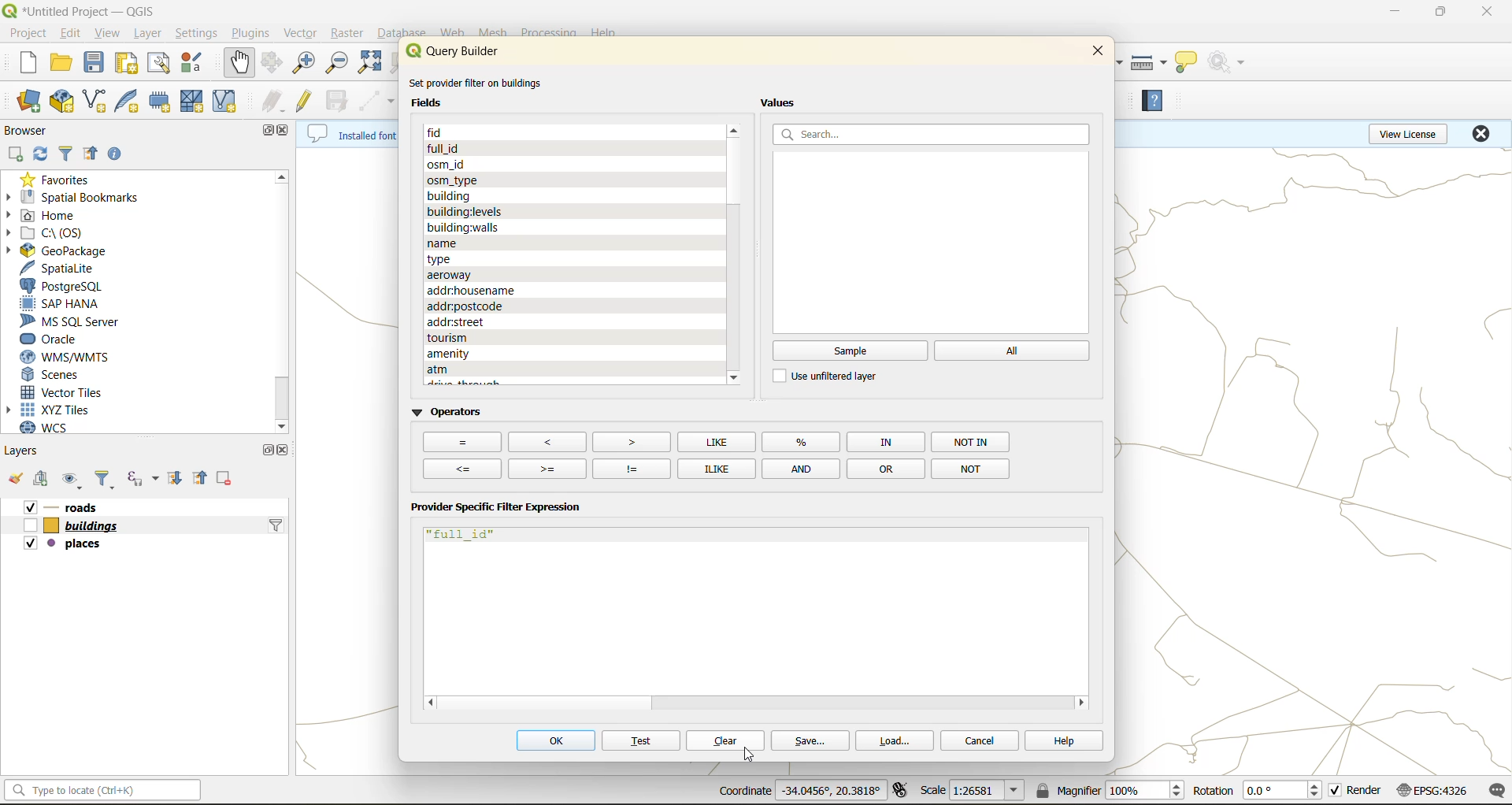  Describe the element at coordinates (199, 477) in the screenshot. I see `collapse all` at that location.